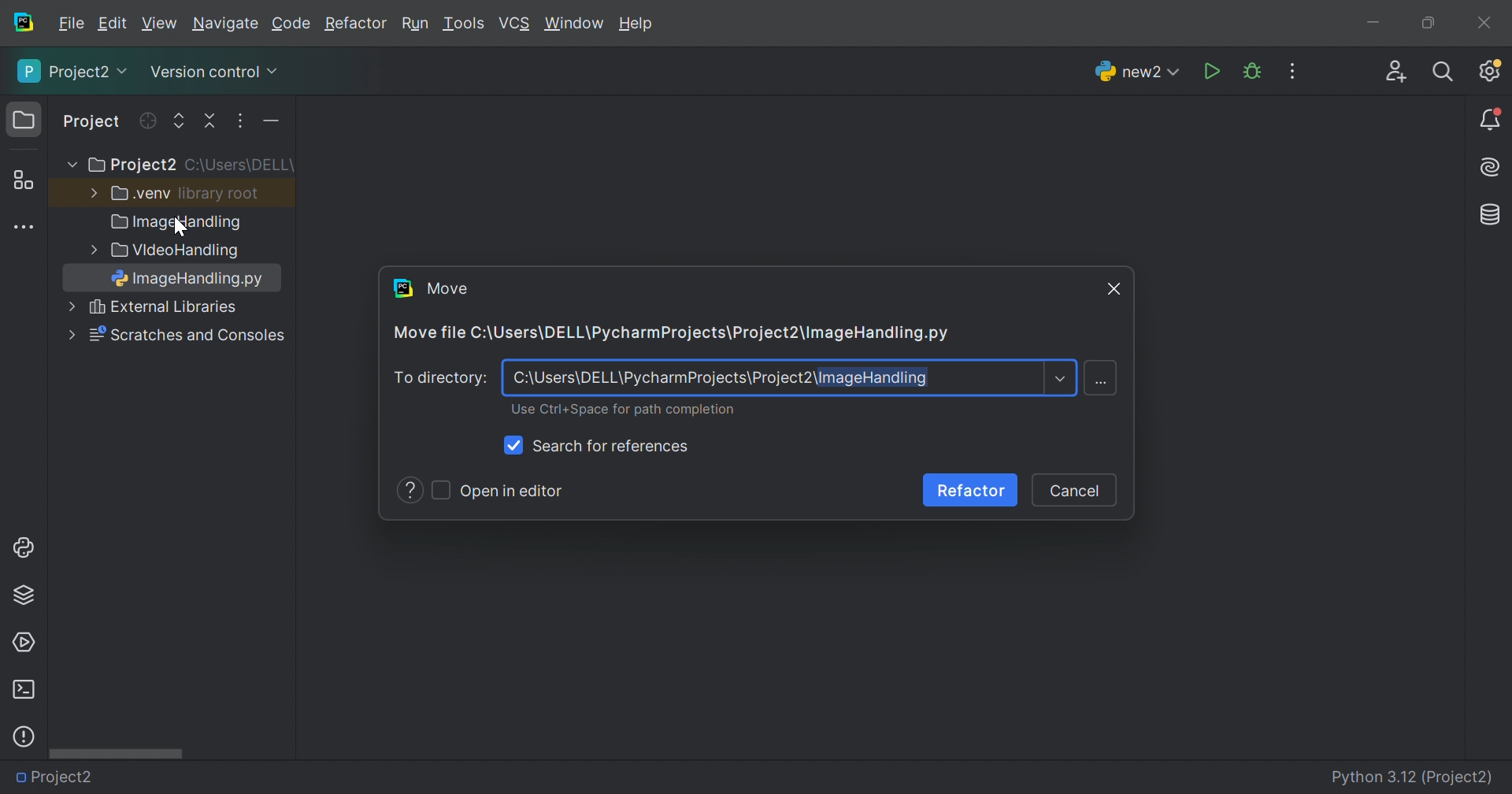 The width and height of the screenshot is (1512, 794). I want to click on Shift+Enter, so click(1104, 382).